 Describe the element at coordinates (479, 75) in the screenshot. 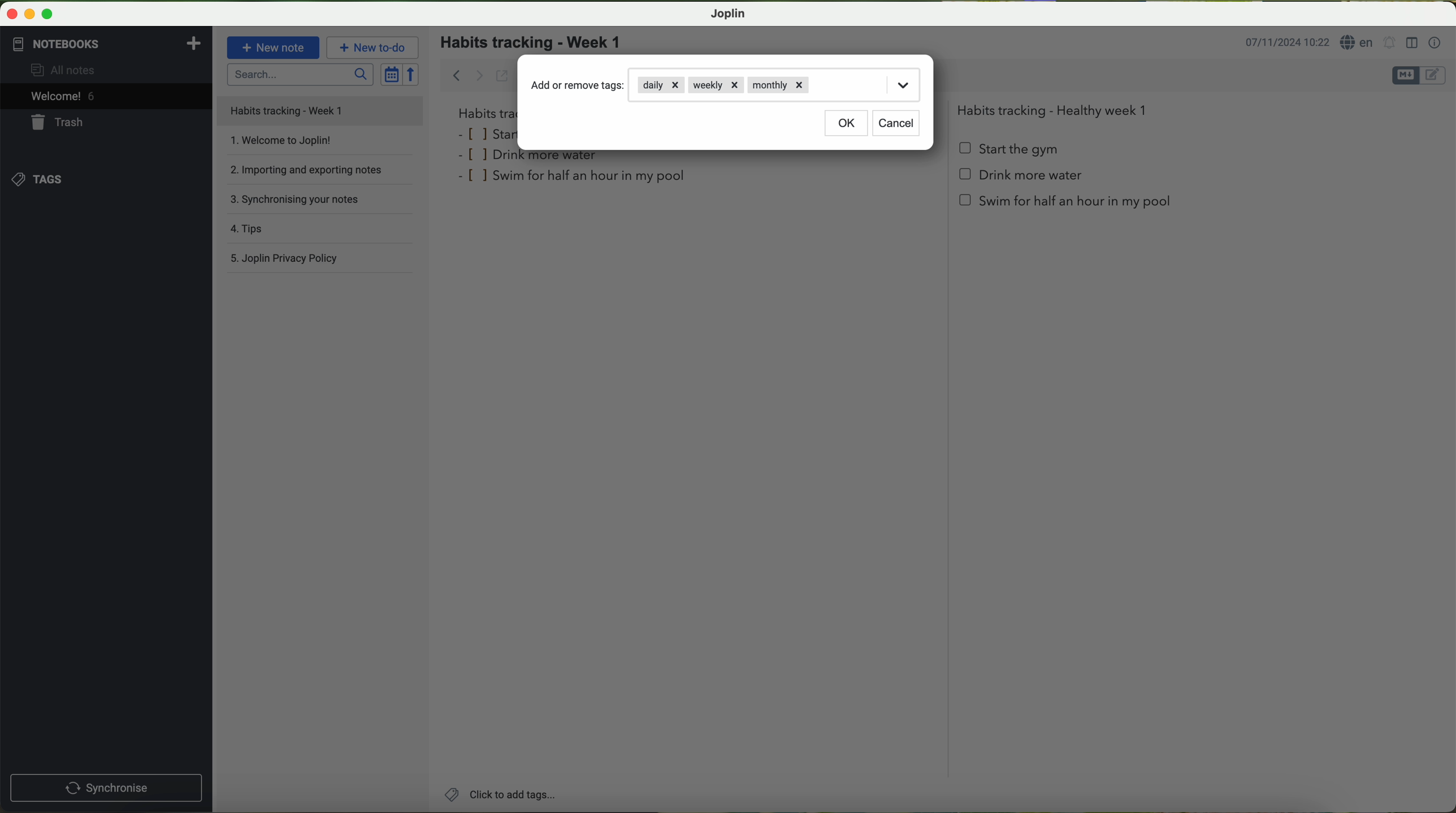

I see `forward` at that location.